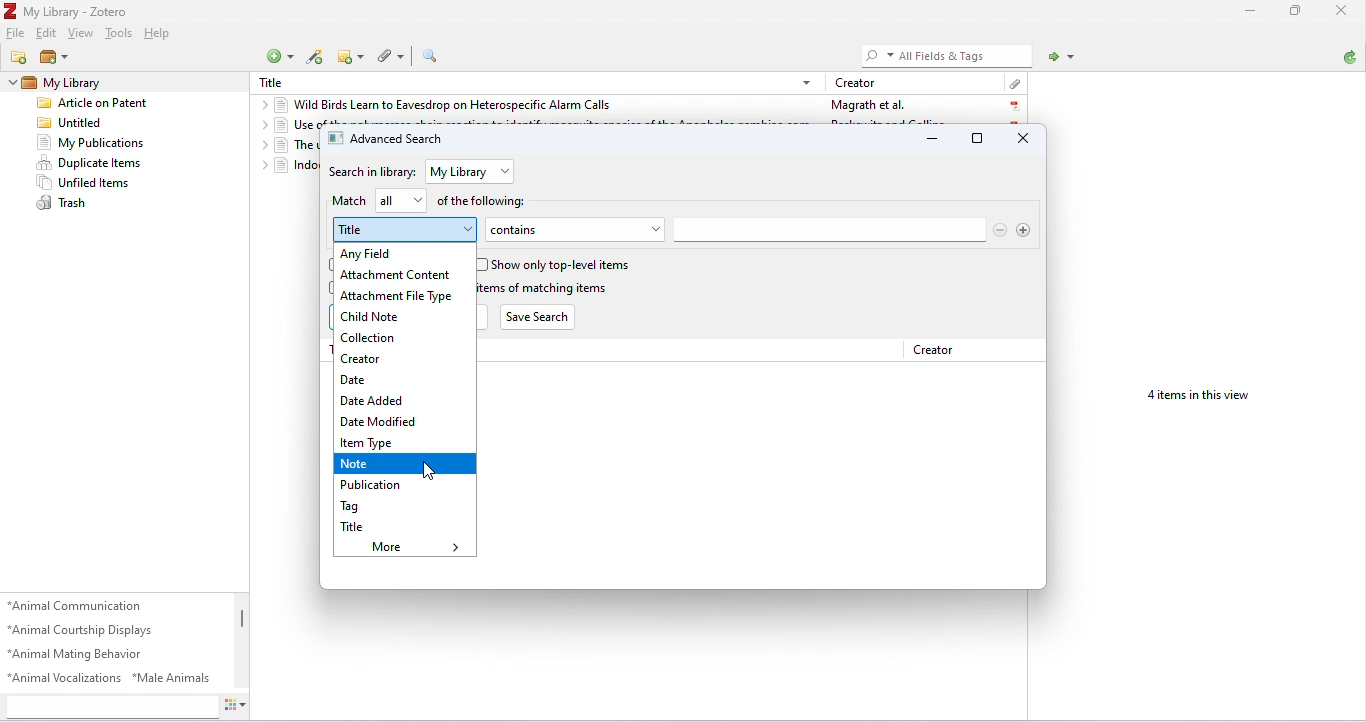 This screenshot has height=722, width=1366. What do you see at coordinates (480, 264) in the screenshot?
I see `checkbox` at bounding box center [480, 264].